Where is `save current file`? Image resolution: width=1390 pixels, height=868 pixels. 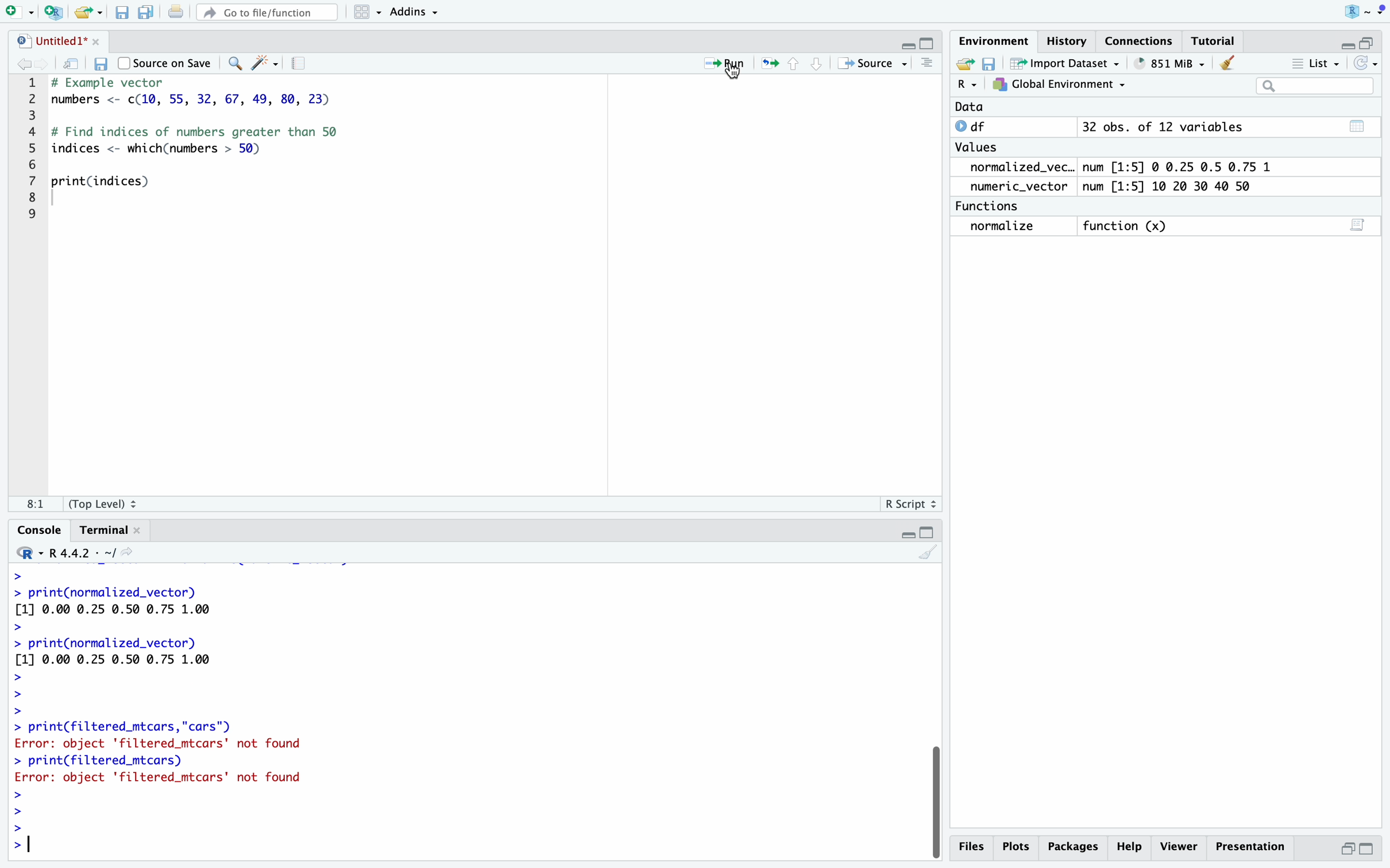
save current file is located at coordinates (120, 11).